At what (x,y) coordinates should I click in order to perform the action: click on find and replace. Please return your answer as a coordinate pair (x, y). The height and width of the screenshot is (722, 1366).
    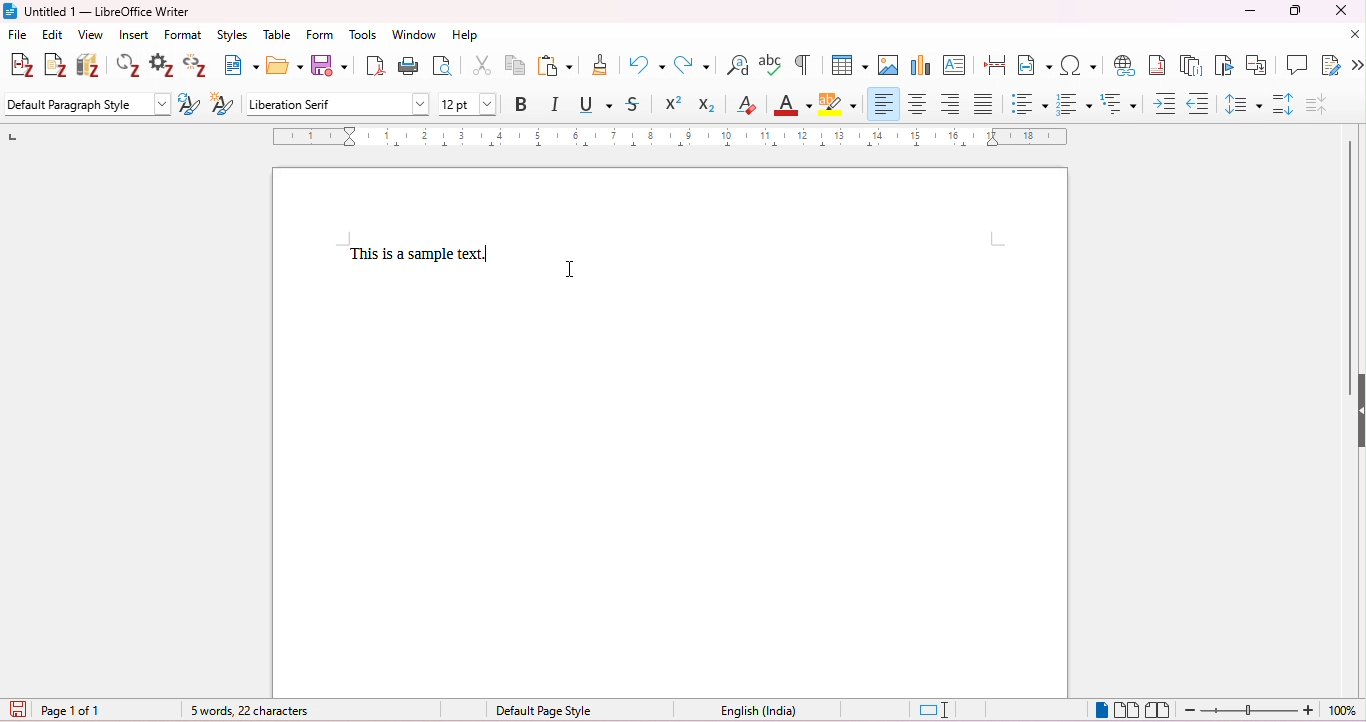
    Looking at the image, I should click on (737, 65).